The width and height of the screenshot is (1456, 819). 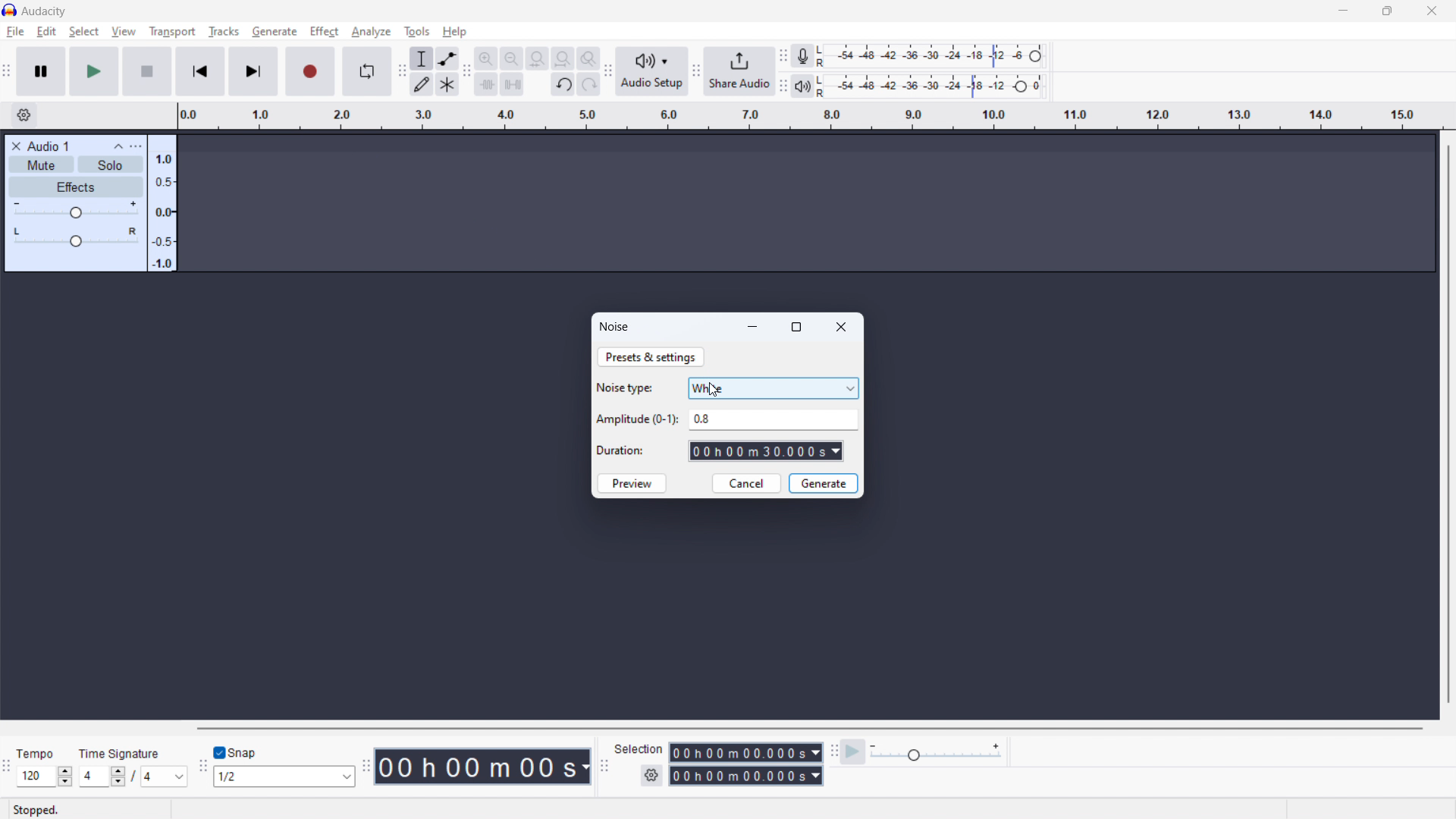 I want to click on Duration, so click(x=623, y=451).